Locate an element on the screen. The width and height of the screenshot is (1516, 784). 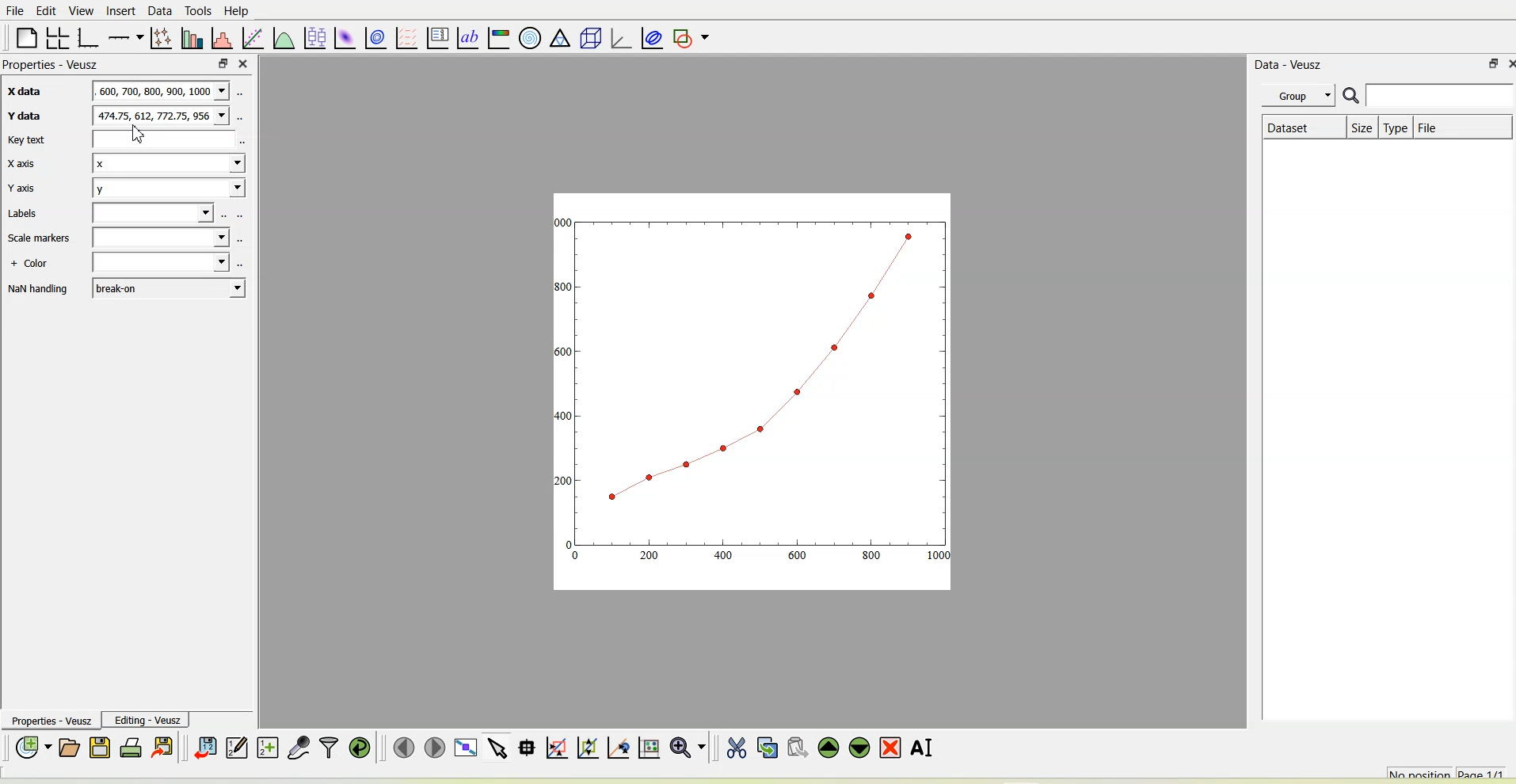
0 is located at coordinates (575, 558).